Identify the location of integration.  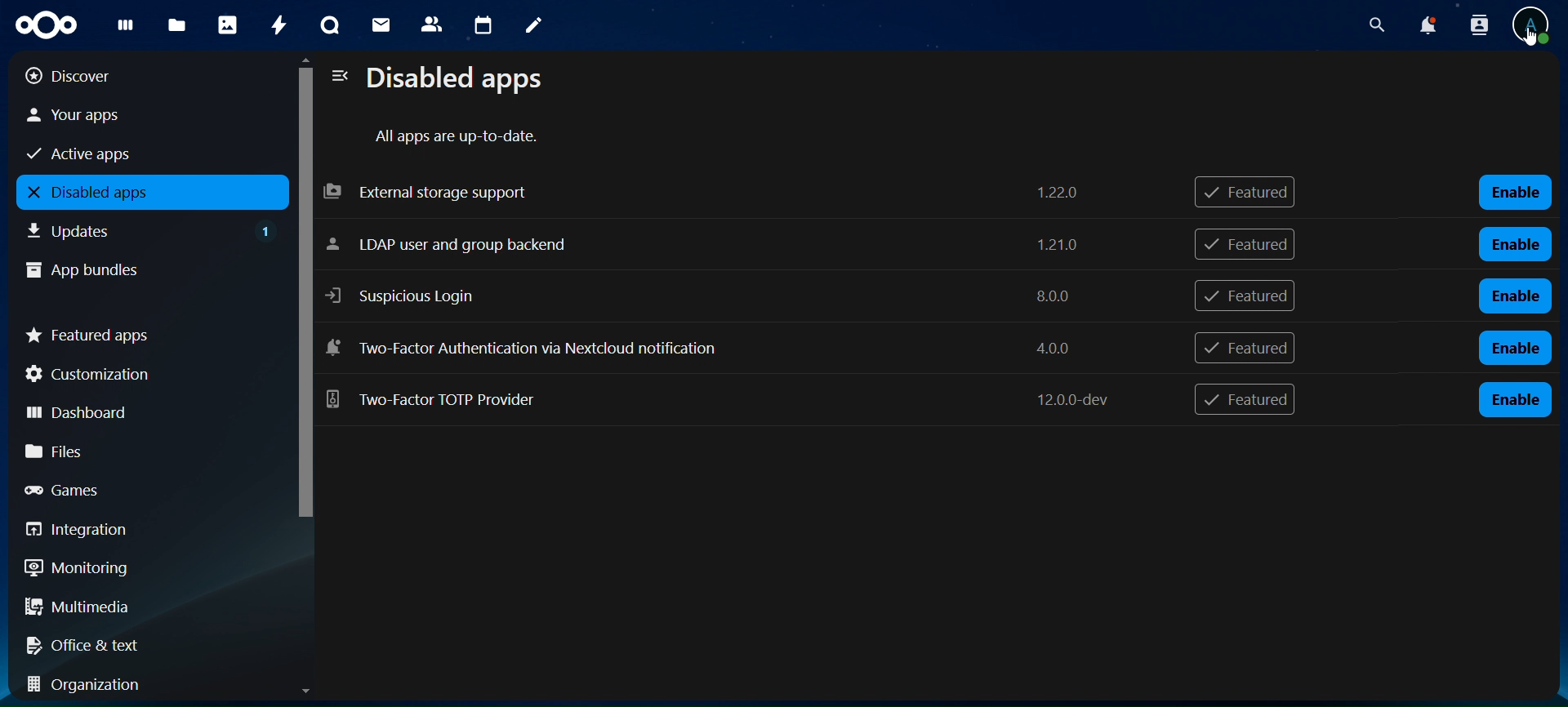
(140, 530).